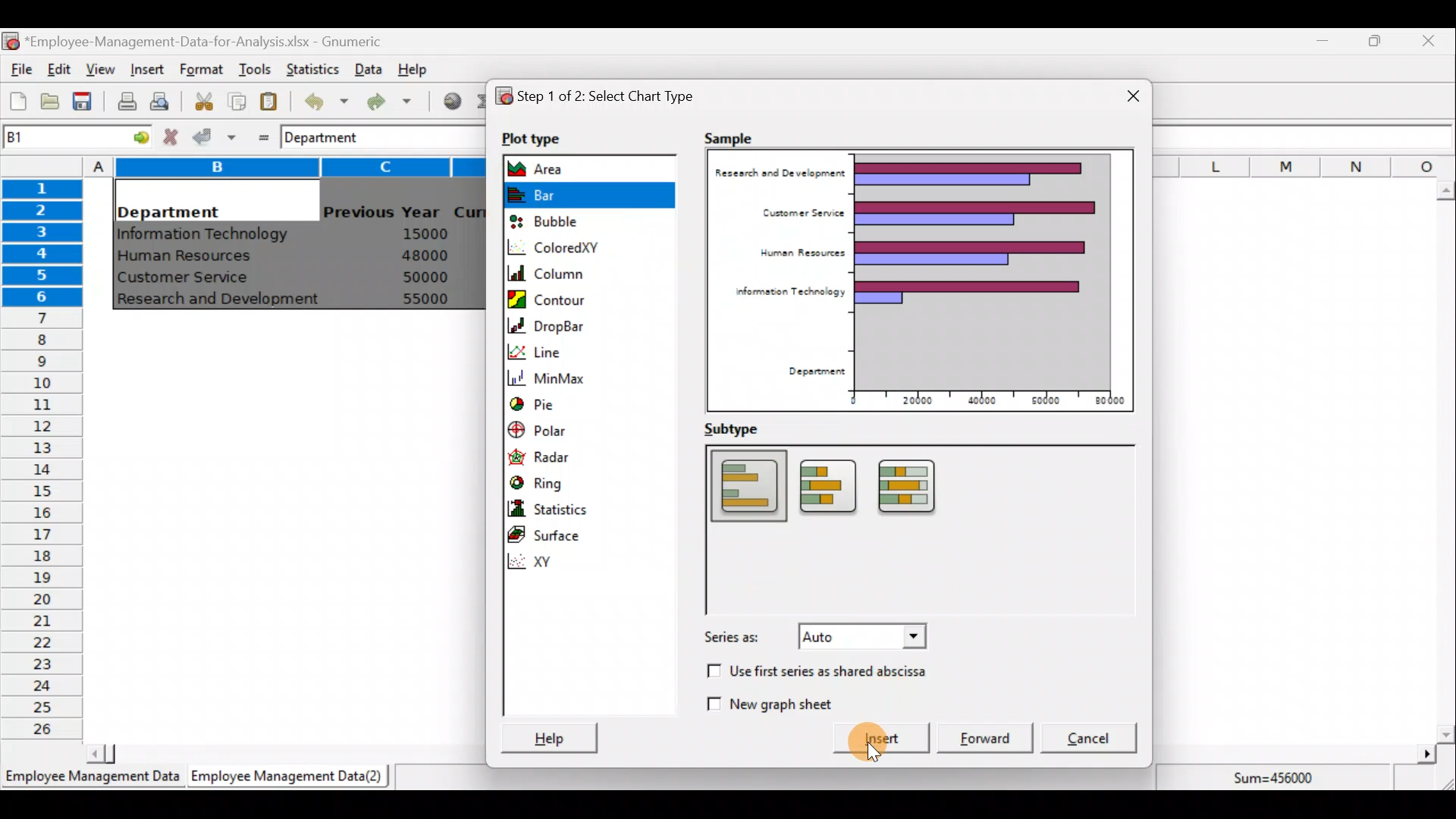 The height and width of the screenshot is (819, 1456). I want to click on DropBar, so click(560, 324).